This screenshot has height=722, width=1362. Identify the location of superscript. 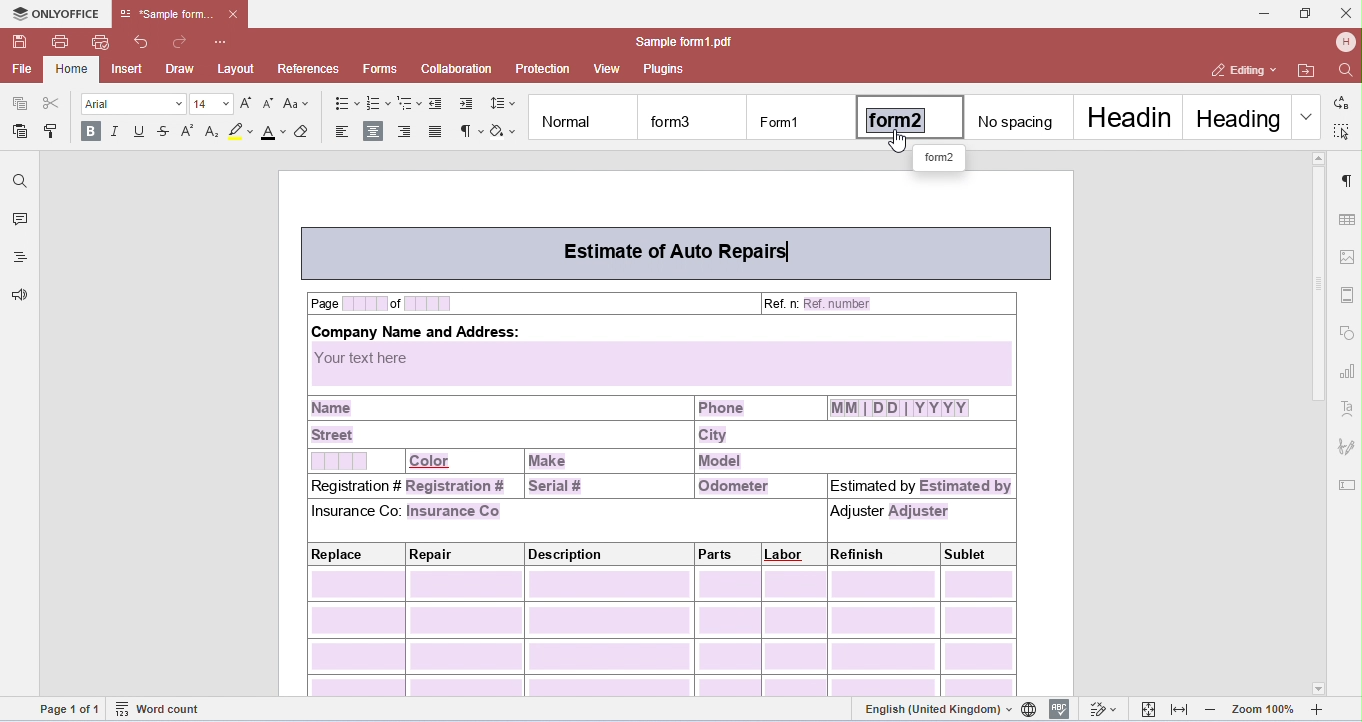
(191, 132).